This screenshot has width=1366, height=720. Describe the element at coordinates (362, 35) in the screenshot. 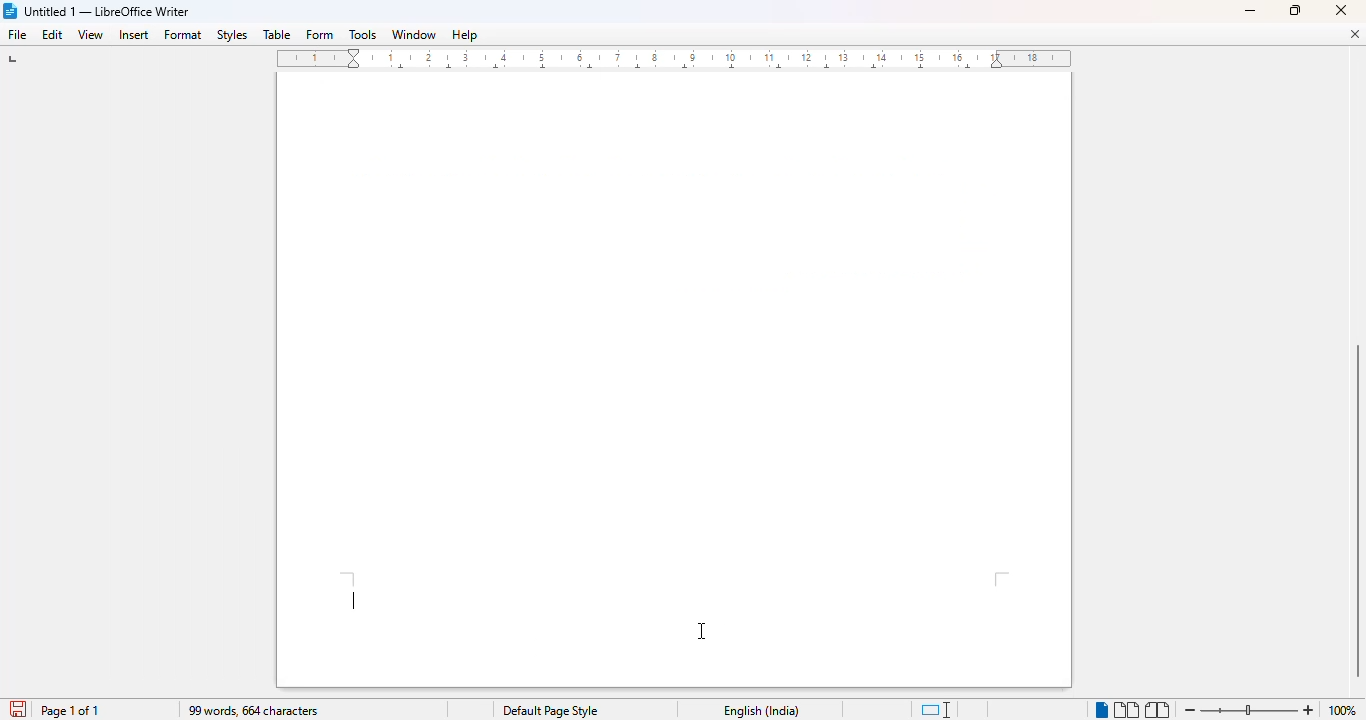

I see `tools` at that location.